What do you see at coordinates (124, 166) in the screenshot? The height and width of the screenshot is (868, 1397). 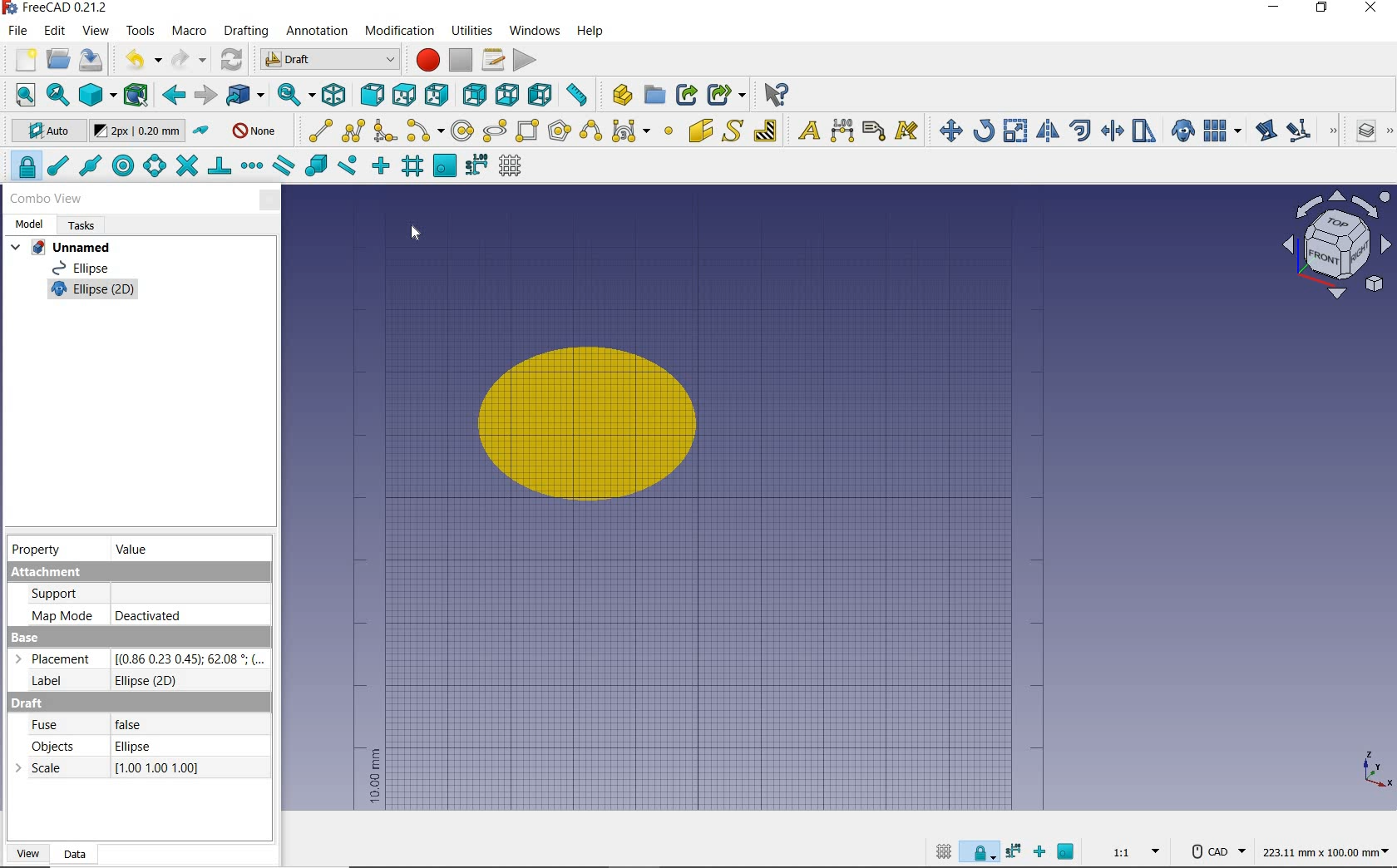 I see `snap center` at bounding box center [124, 166].